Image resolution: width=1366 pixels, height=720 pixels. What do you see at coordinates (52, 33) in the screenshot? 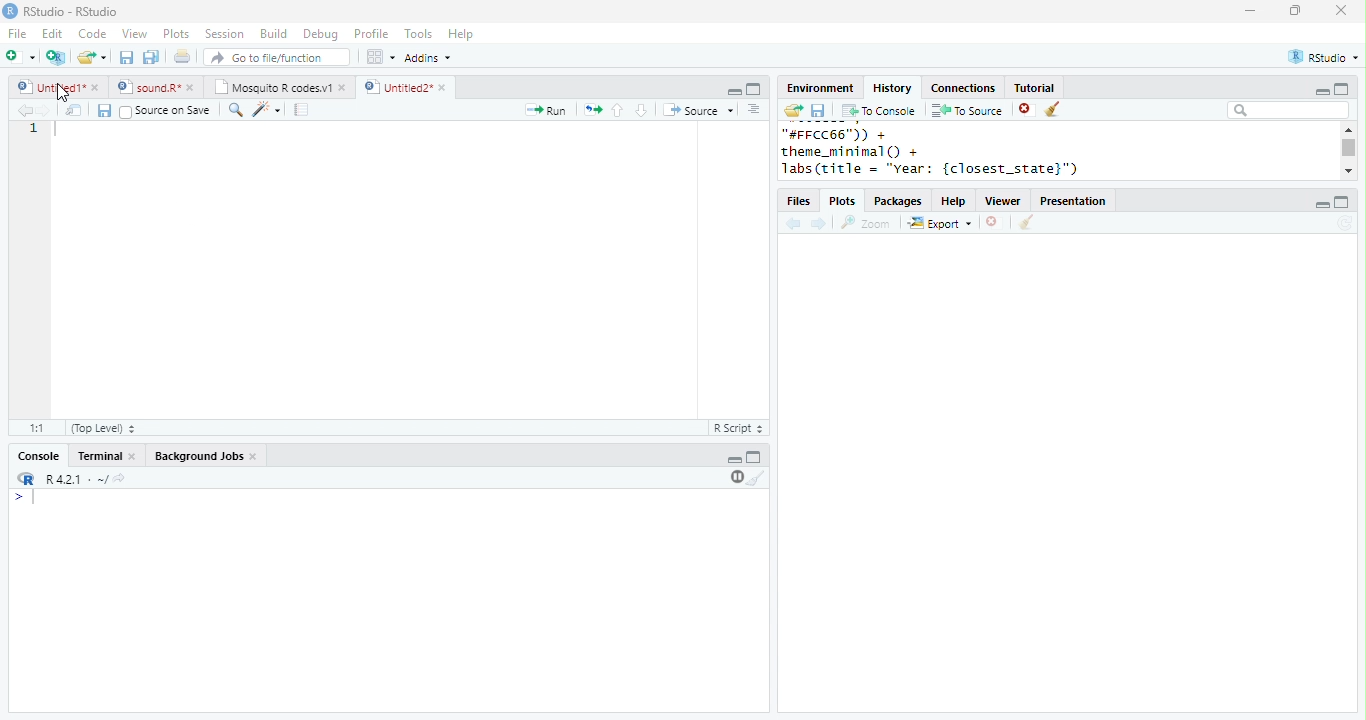
I see `Edit` at bounding box center [52, 33].